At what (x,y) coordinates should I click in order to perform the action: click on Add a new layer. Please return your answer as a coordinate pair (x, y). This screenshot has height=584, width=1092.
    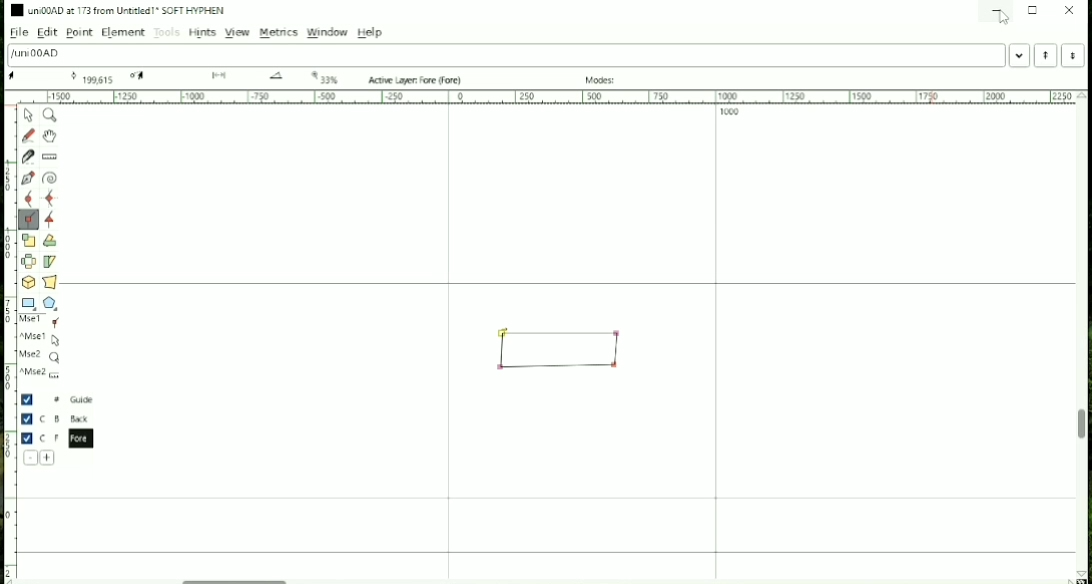
    Looking at the image, I should click on (48, 458).